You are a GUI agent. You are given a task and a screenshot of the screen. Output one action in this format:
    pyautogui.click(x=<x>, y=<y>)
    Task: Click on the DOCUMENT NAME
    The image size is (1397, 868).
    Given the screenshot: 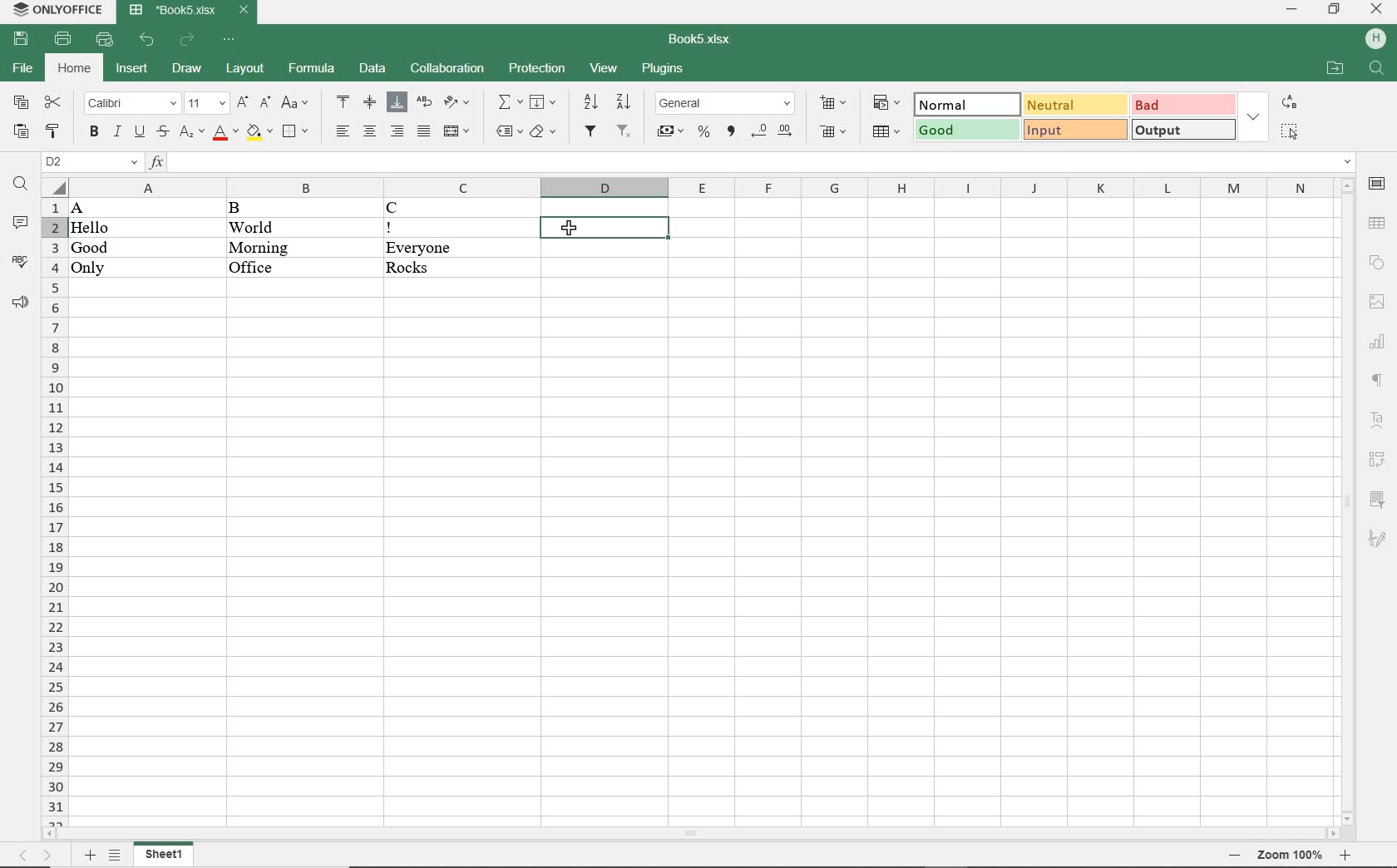 What is the action you would take?
    pyautogui.click(x=701, y=41)
    